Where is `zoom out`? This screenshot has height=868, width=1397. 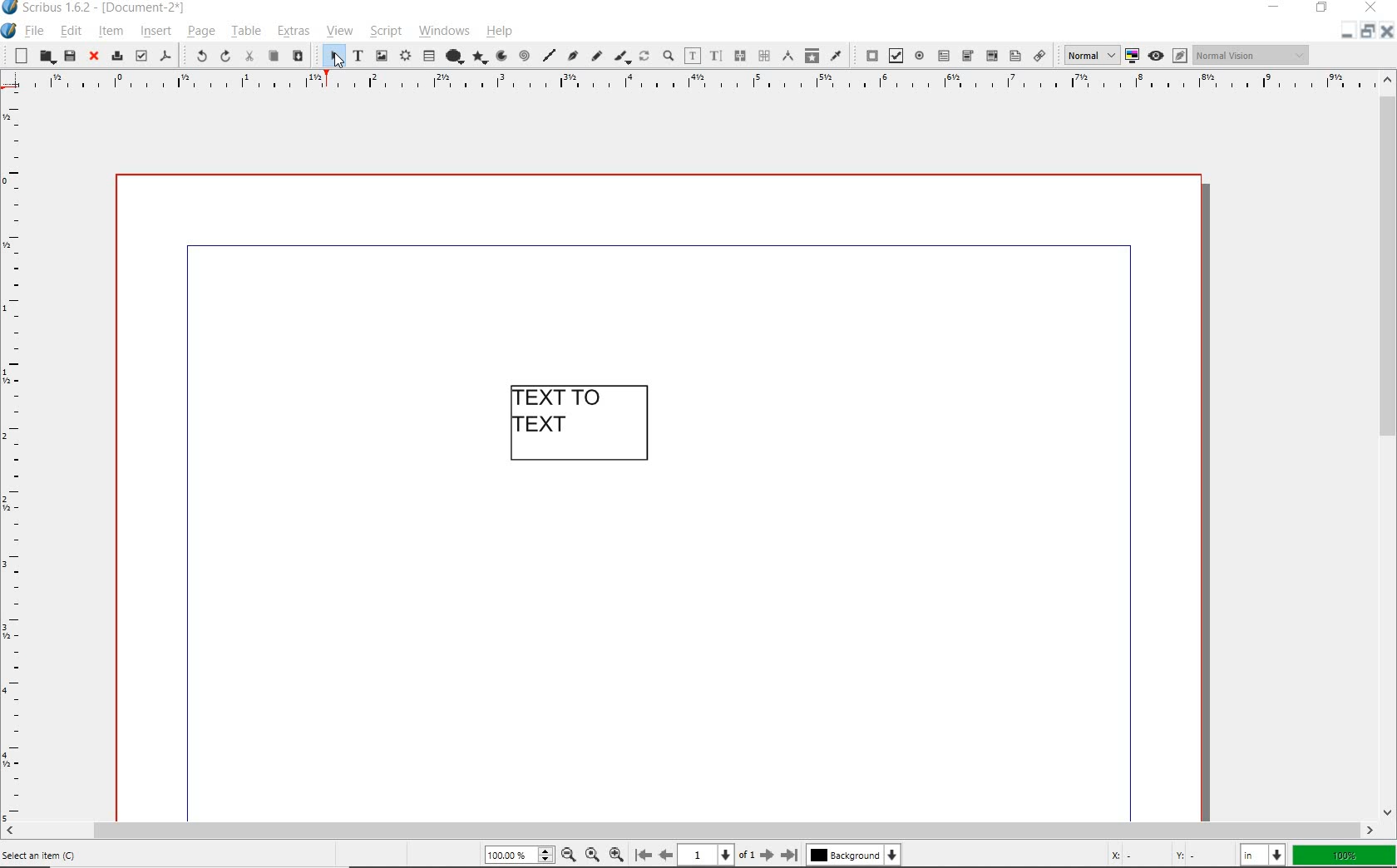
zoom out is located at coordinates (573, 854).